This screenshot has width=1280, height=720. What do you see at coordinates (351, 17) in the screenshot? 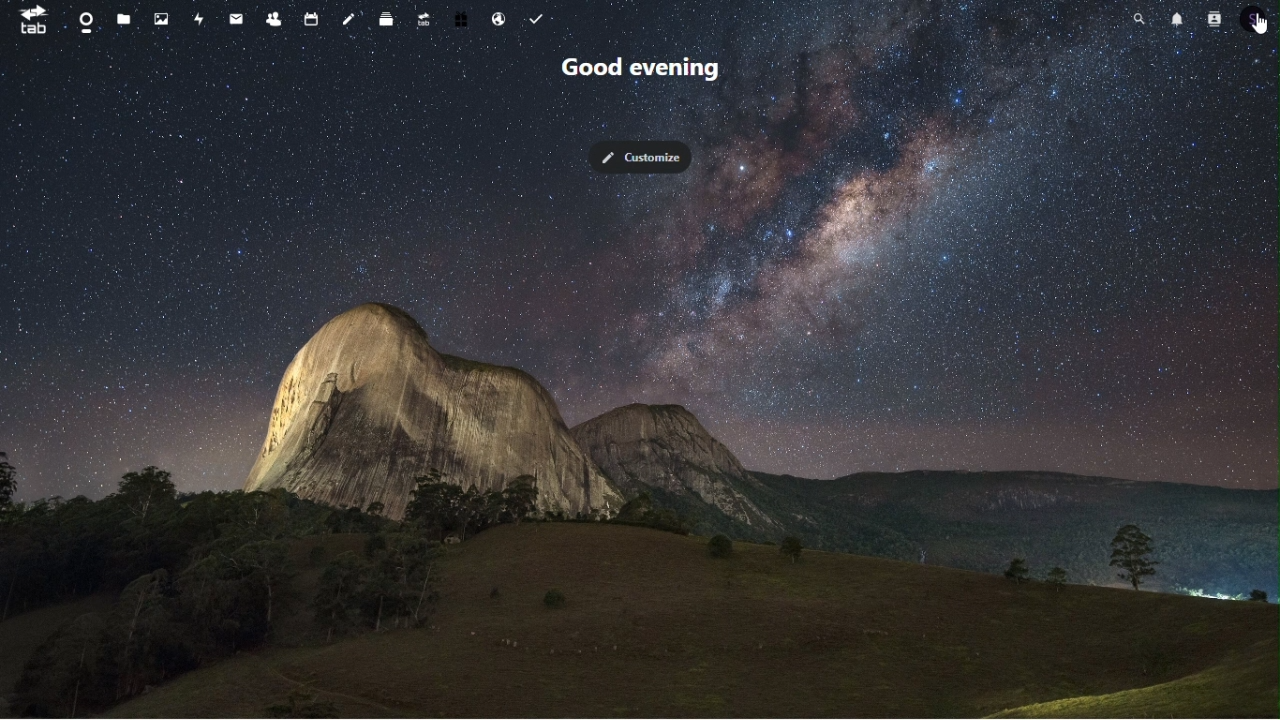
I see `note` at bounding box center [351, 17].